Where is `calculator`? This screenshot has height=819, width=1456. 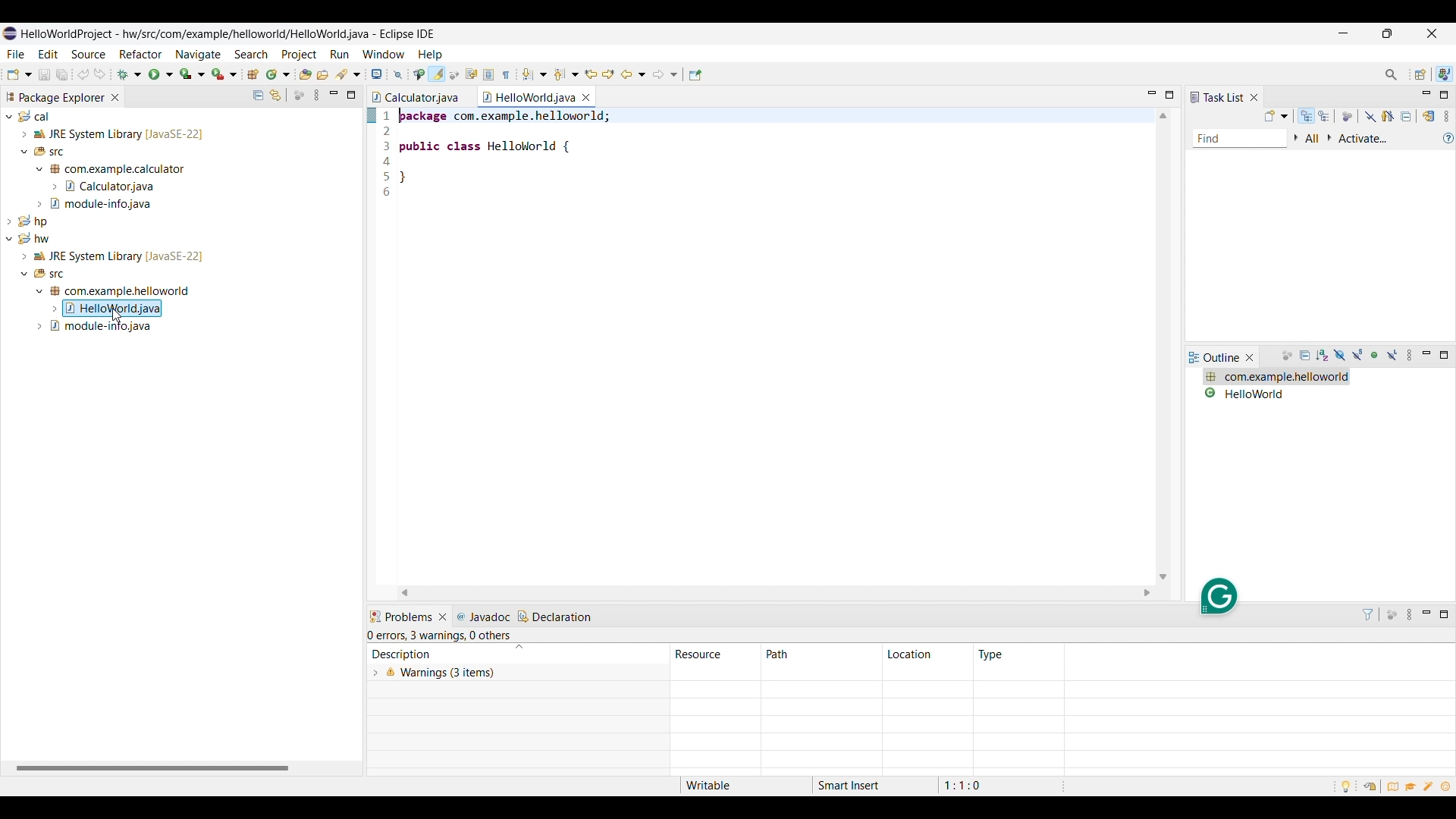 calculator is located at coordinates (1274, 393).